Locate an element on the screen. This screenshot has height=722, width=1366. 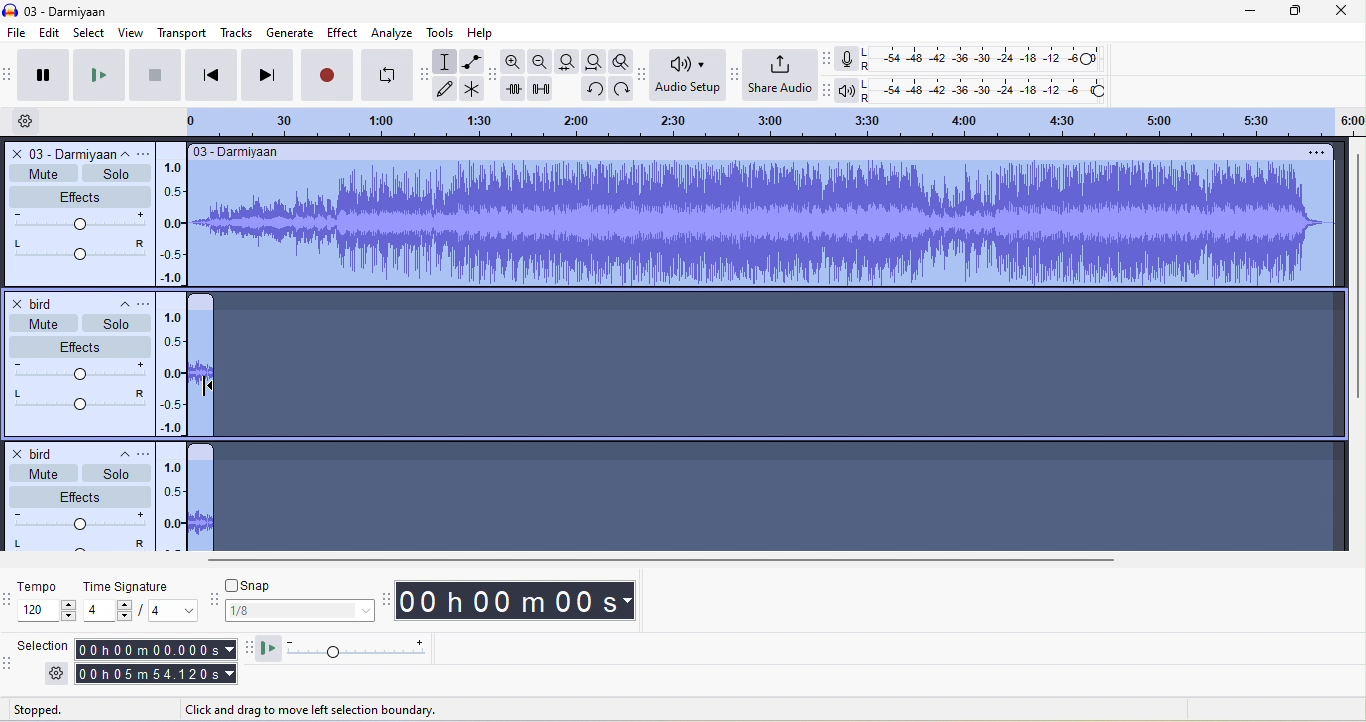
effect is located at coordinates (342, 34).